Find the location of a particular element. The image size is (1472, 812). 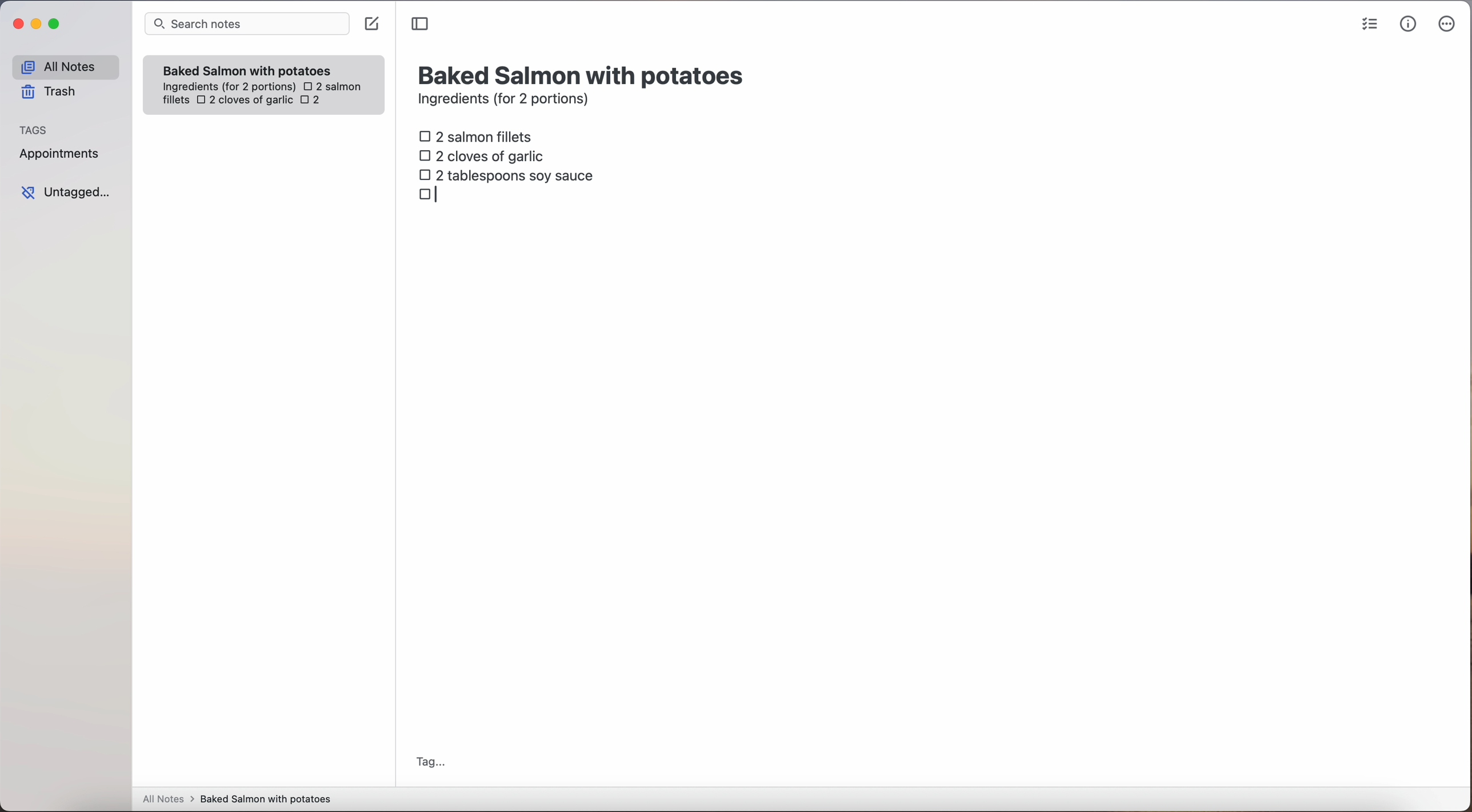

toggle sidebar is located at coordinates (421, 25).